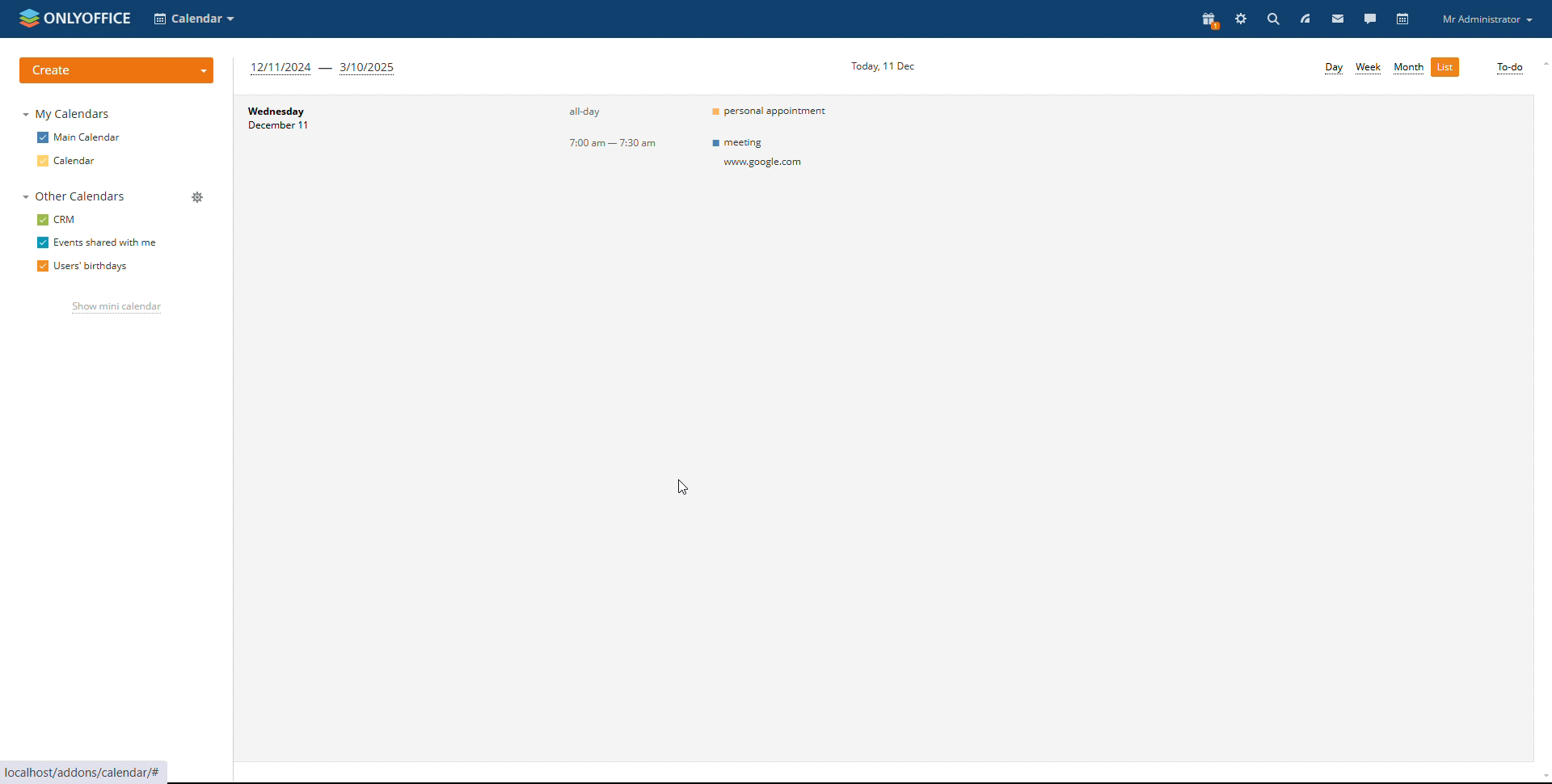  What do you see at coordinates (1337, 18) in the screenshot?
I see `mail` at bounding box center [1337, 18].